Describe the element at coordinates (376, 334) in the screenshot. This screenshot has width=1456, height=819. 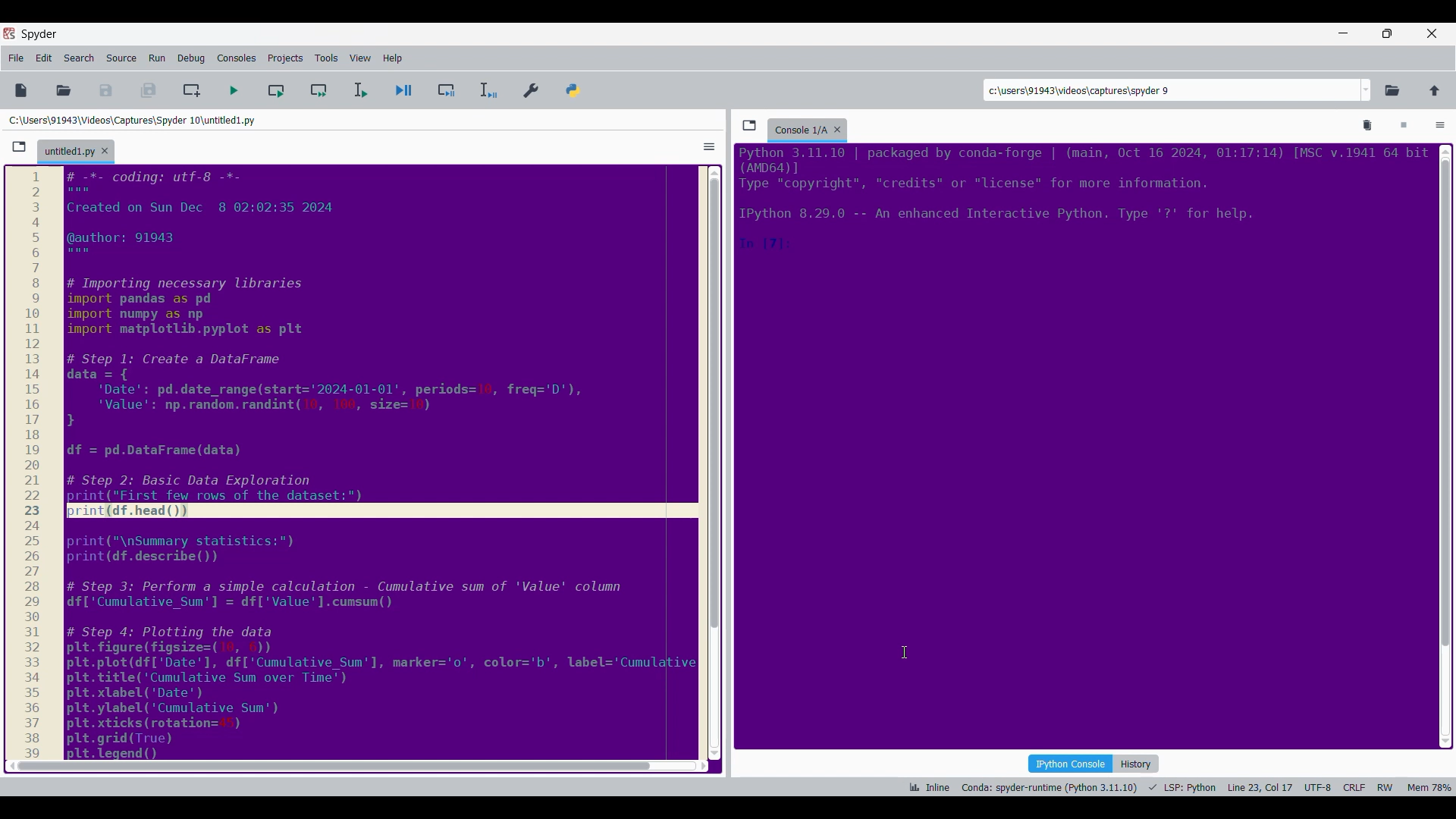
I see `code` at that location.